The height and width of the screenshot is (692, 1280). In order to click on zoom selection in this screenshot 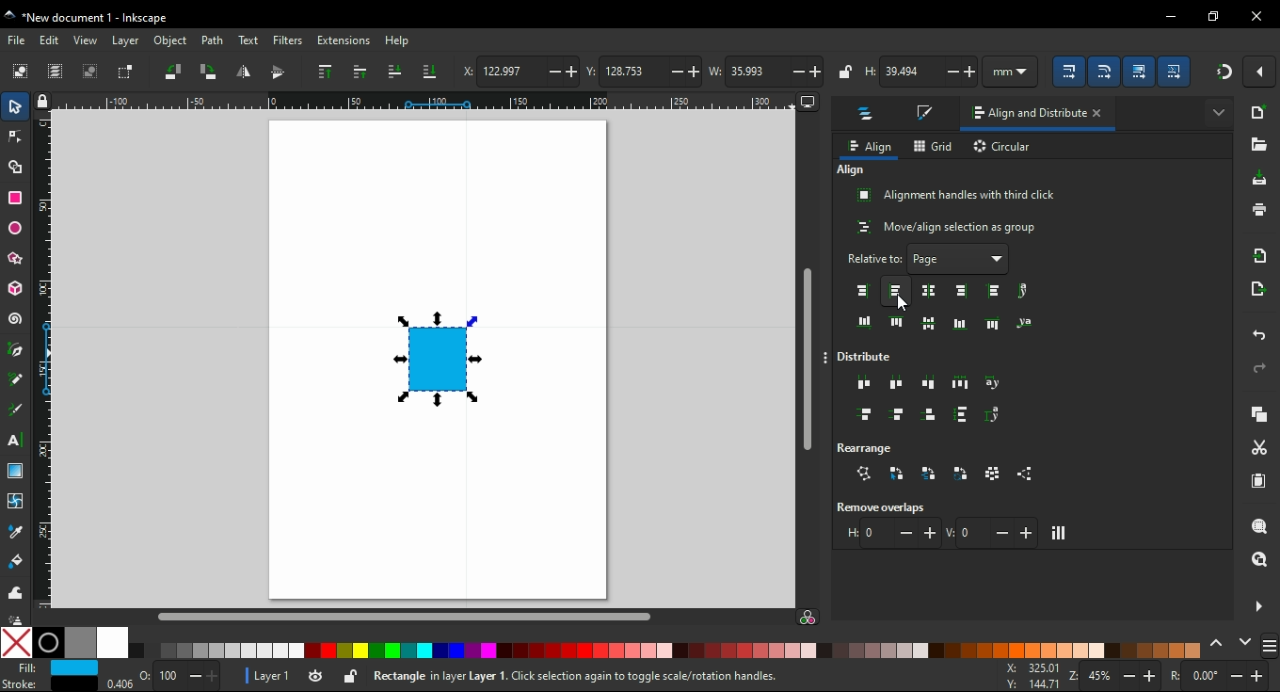, I will do `click(1260, 528)`.